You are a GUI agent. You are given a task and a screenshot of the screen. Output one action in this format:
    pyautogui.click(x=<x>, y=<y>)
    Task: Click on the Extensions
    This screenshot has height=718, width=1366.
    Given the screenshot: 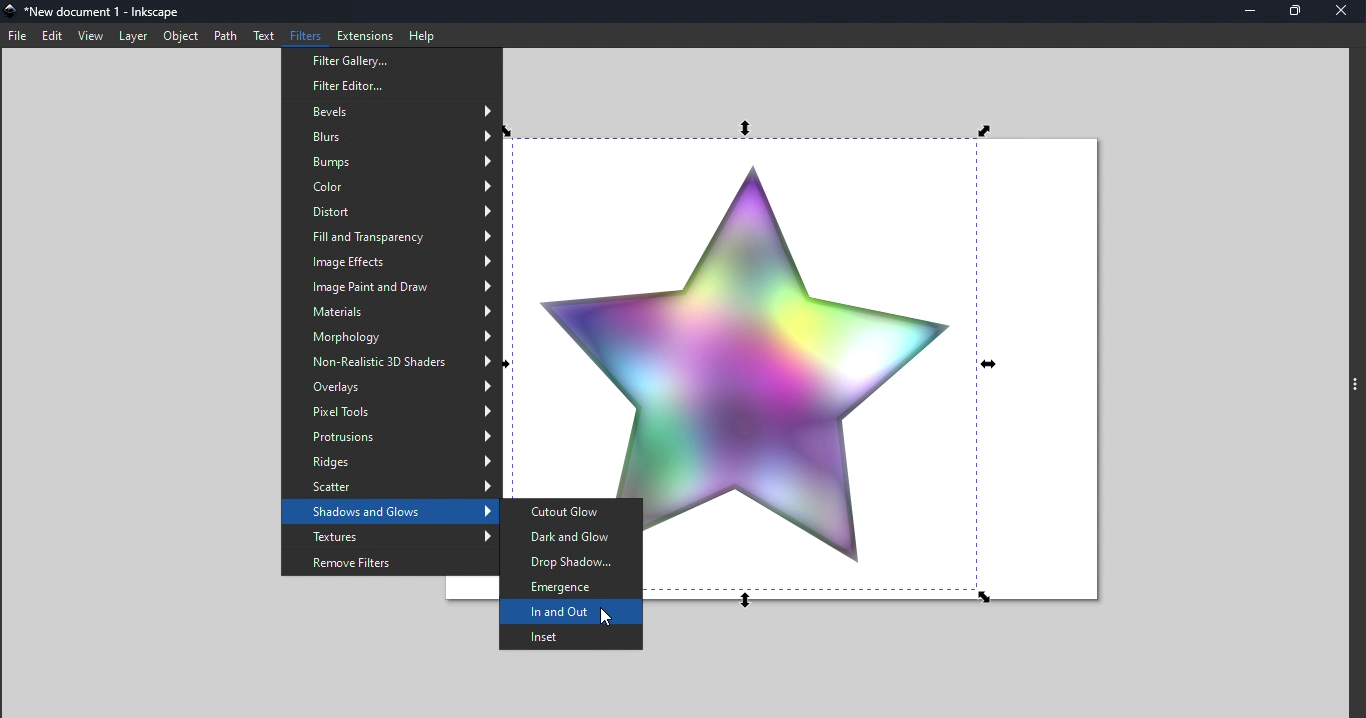 What is the action you would take?
    pyautogui.click(x=362, y=34)
    